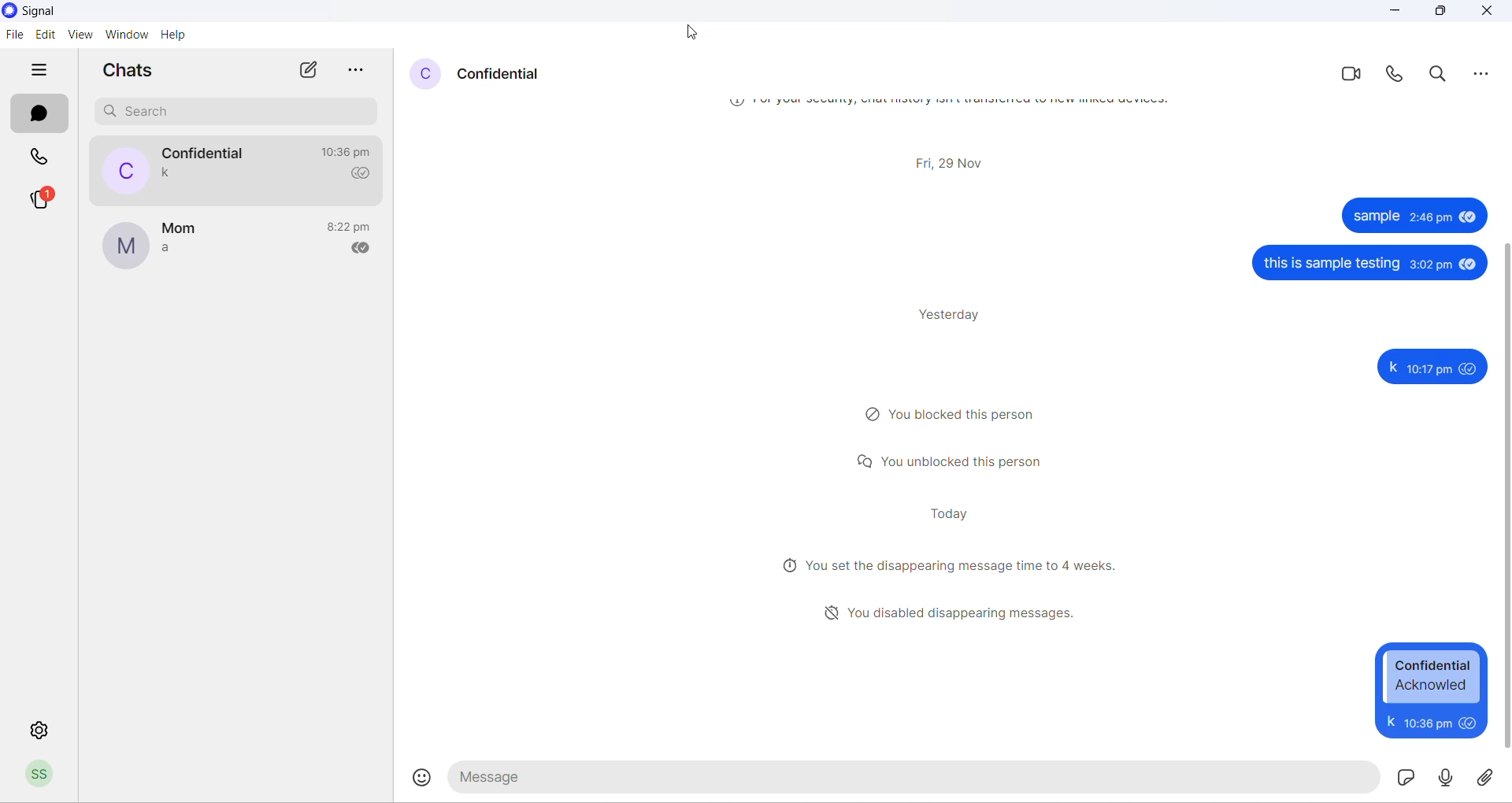  Describe the element at coordinates (951, 462) in the screenshot. I see `unblocked contact message` at that location.